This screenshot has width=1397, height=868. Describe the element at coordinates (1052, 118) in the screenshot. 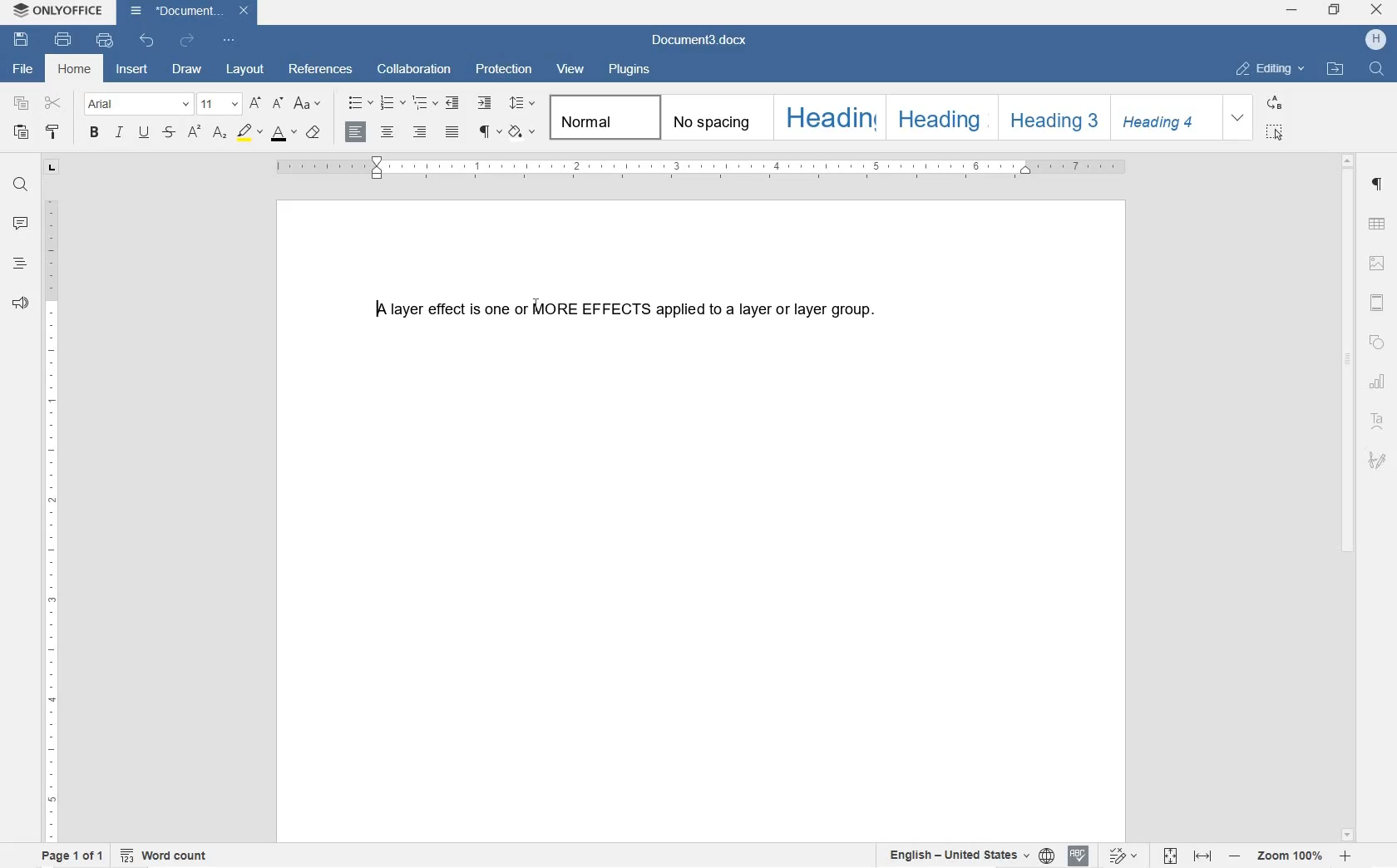

I see `HEADING 3` at that location.